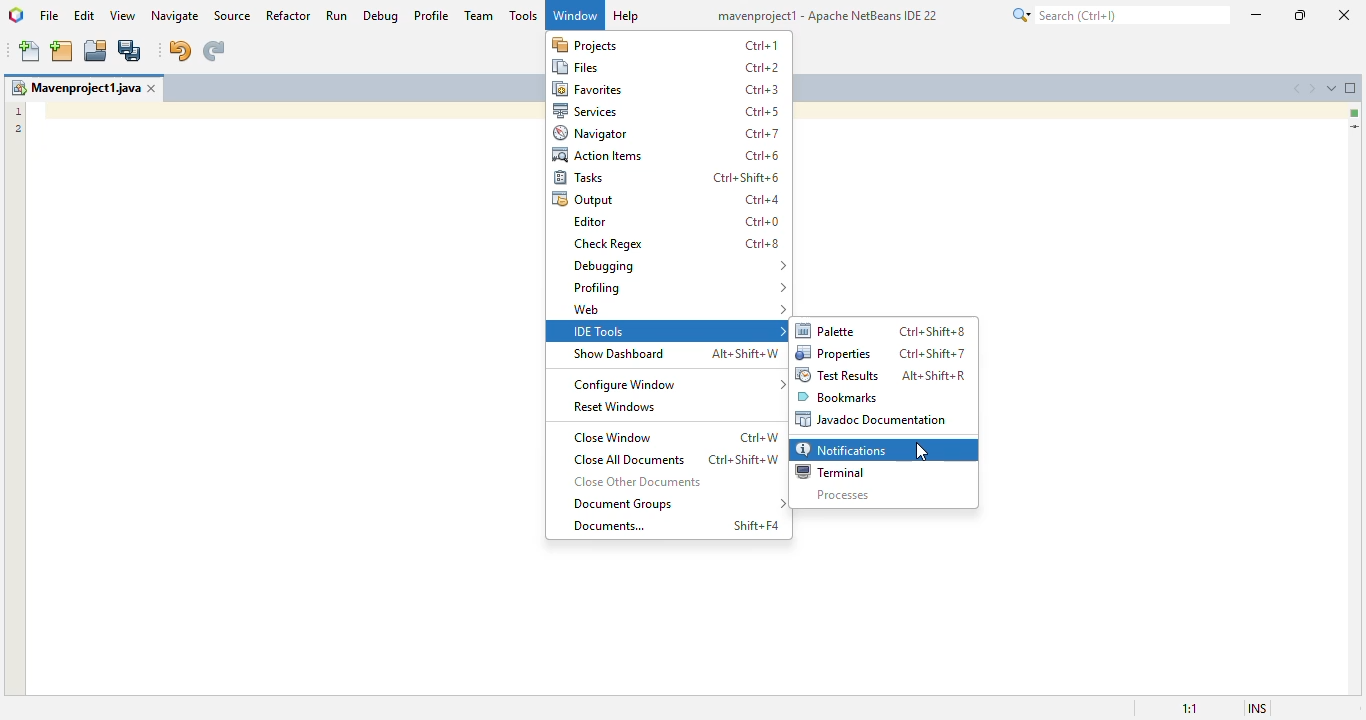  Describe the element at coordinates (1299, 15) in the screenshot. I see `maximize` at that location.